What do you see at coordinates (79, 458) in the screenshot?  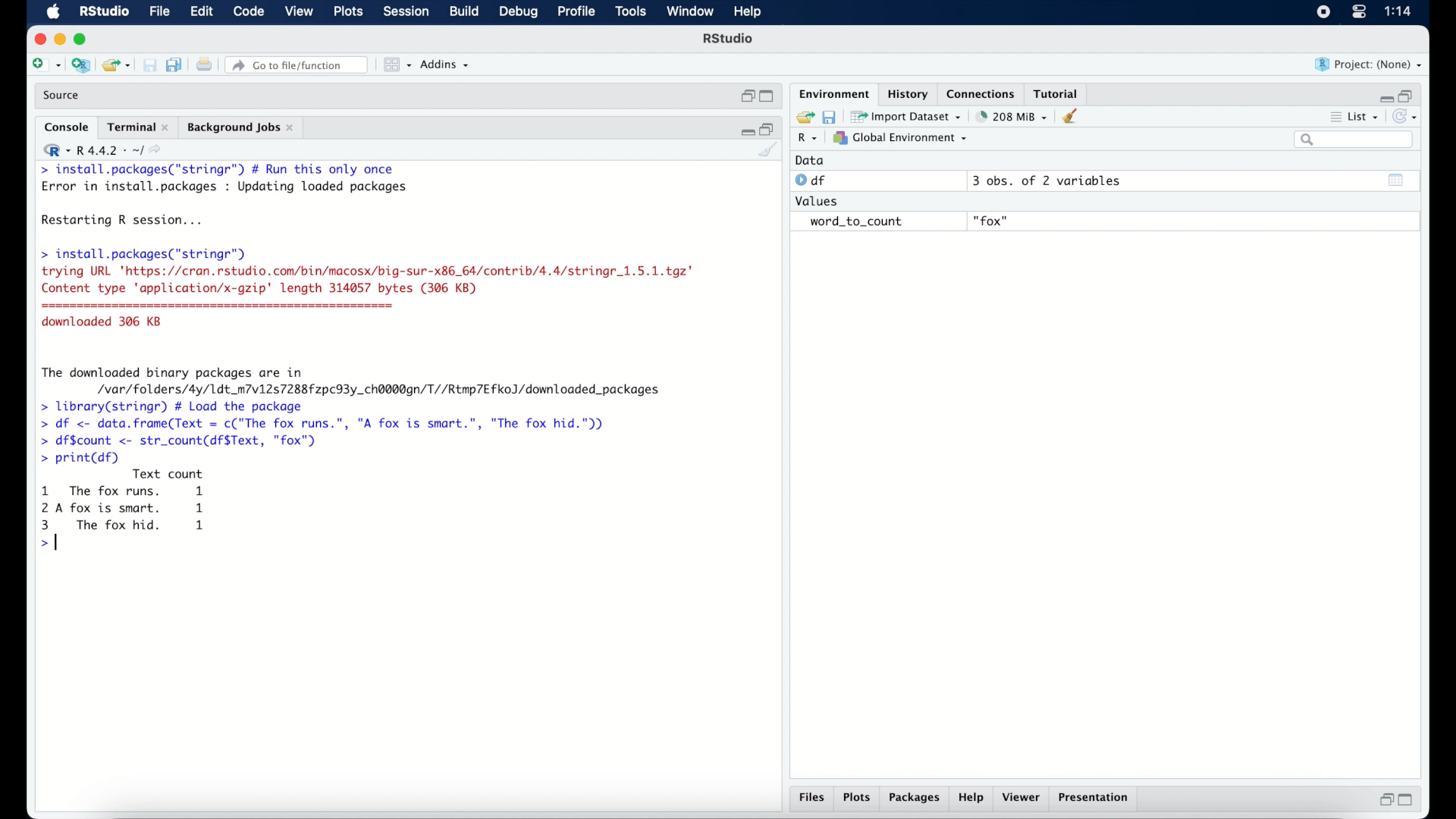 I see `> print(df)|` at bounding box center [79, 458].